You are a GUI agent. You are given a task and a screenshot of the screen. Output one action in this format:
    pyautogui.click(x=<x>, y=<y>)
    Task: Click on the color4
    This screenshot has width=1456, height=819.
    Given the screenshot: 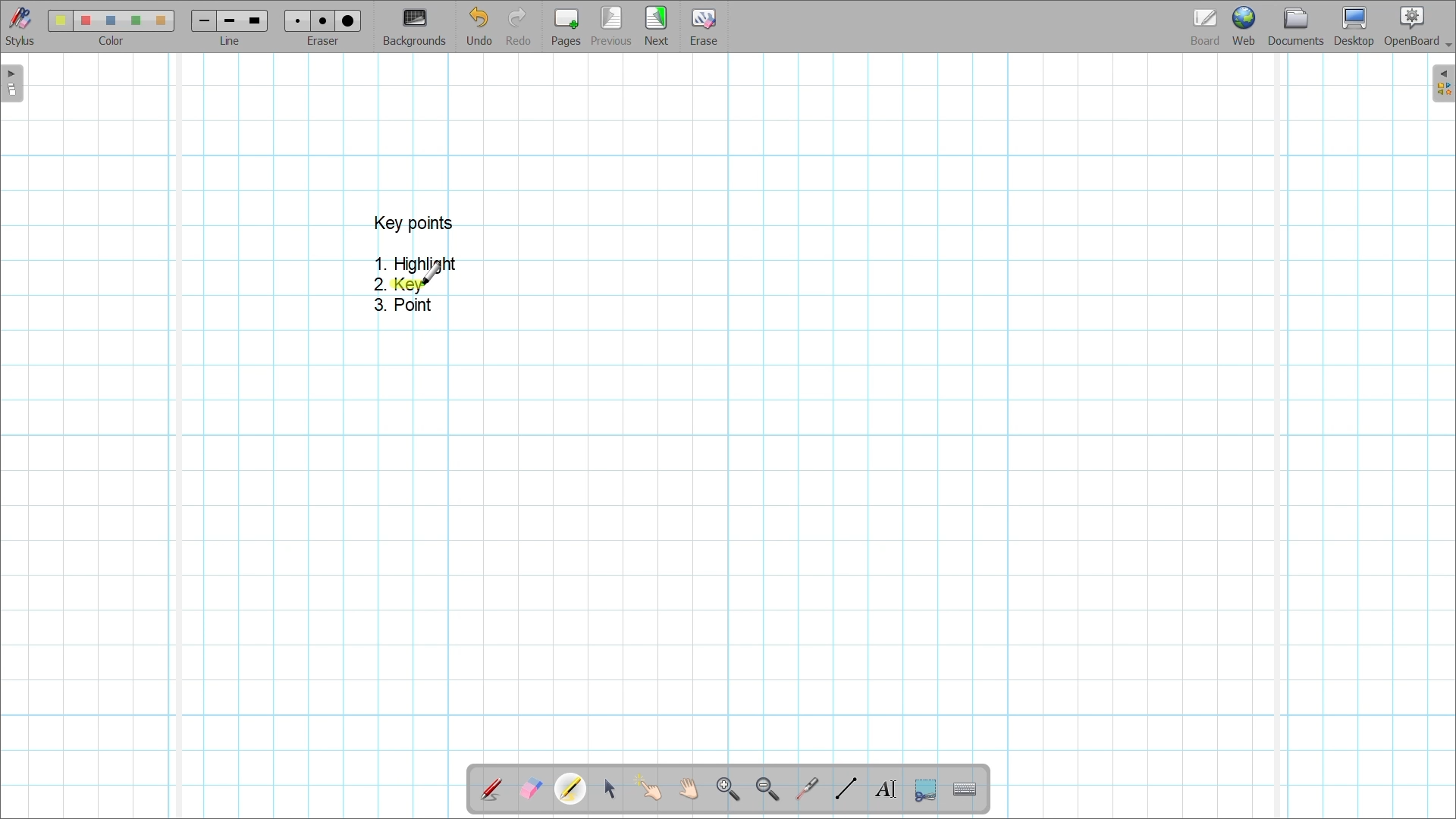 What is the action you would take?
    pyautogui.click(x=135, y=20)
    